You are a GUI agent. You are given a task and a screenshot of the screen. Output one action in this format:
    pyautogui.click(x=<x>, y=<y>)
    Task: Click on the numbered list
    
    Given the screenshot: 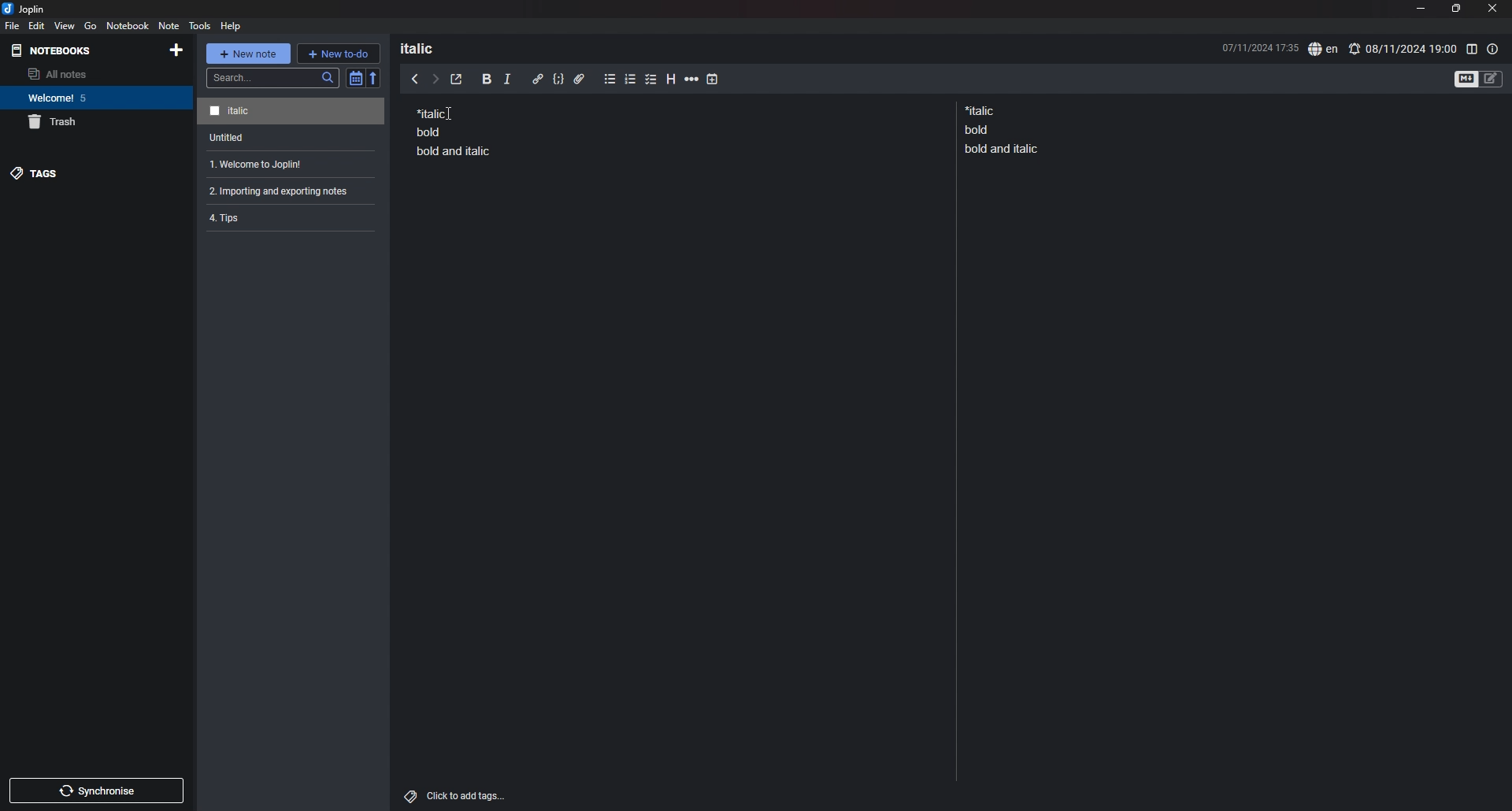 What is the action you would take?
    pyautogui.click(x=631, y=81)
    